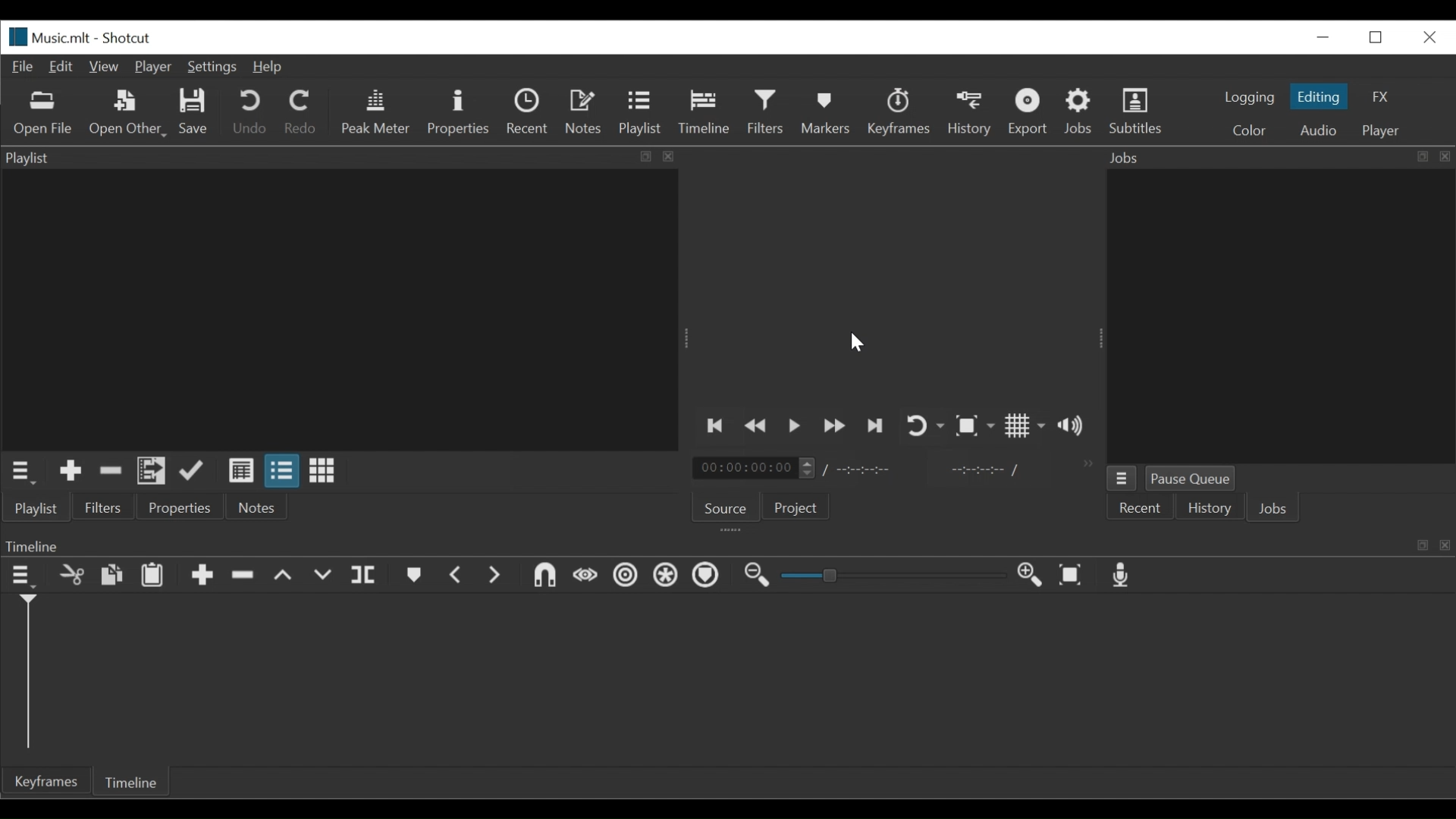 The width and height of the screenshot is (1456, 819). Describe the element at coordinates (365, 574) in the screenshot. I see `Split at playhead` at that location.